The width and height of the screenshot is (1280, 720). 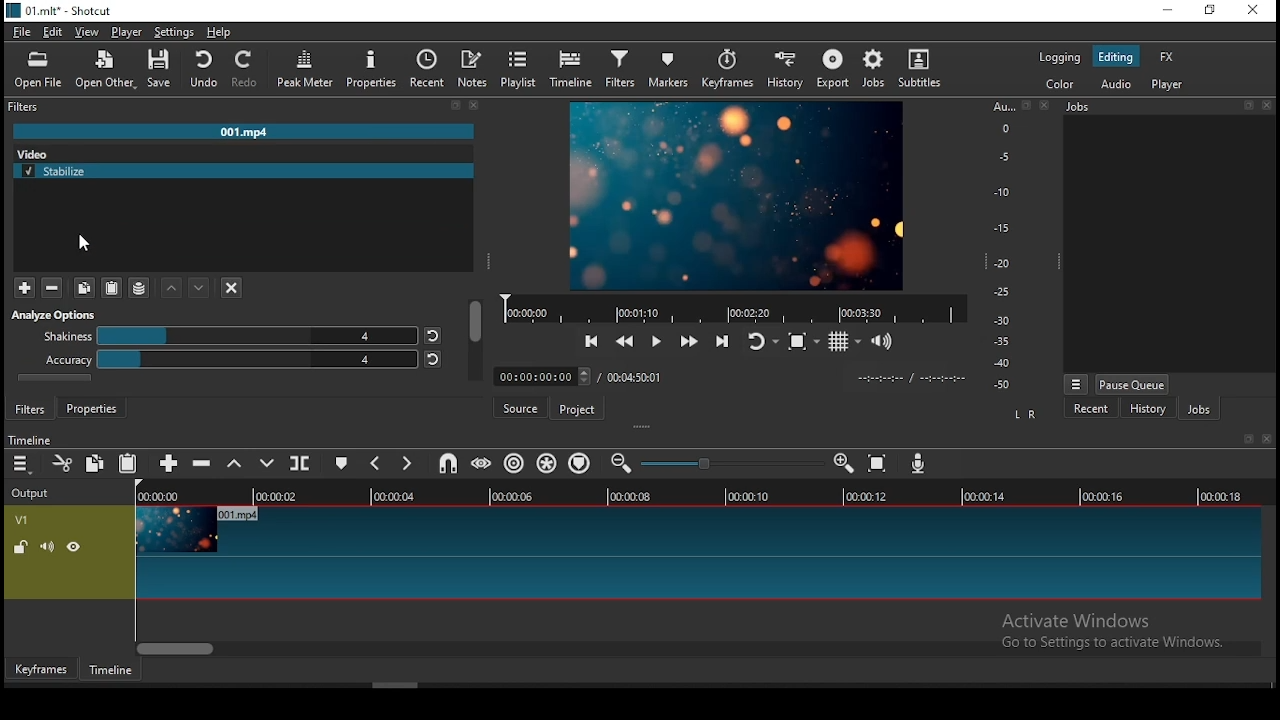 What do you see at coordinates (623, 67) in the screenshot?
I see `filters` at bounding box center [623, 67].